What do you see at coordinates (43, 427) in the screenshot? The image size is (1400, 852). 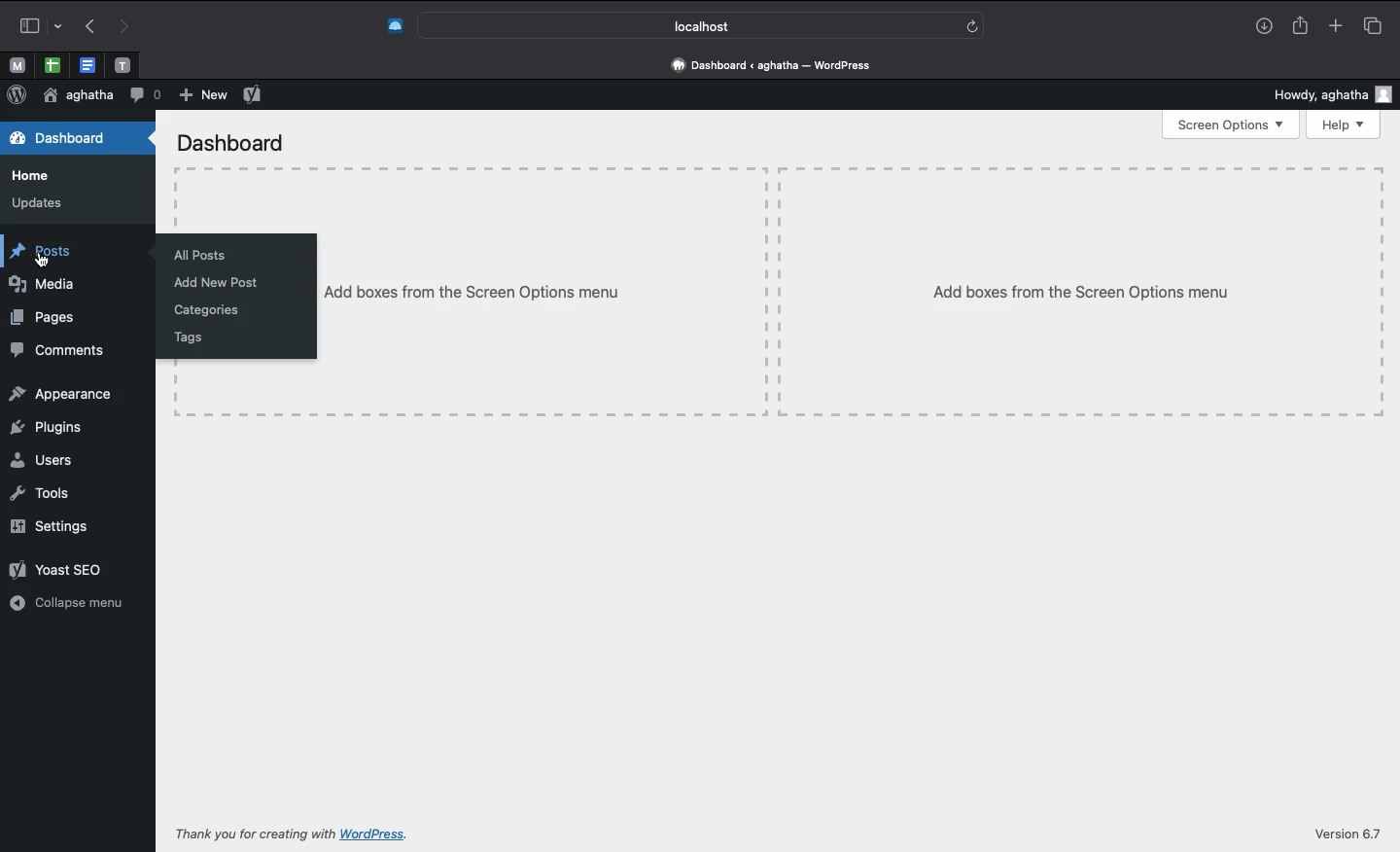 I see `Plugins` at bounding box center [43, 427].